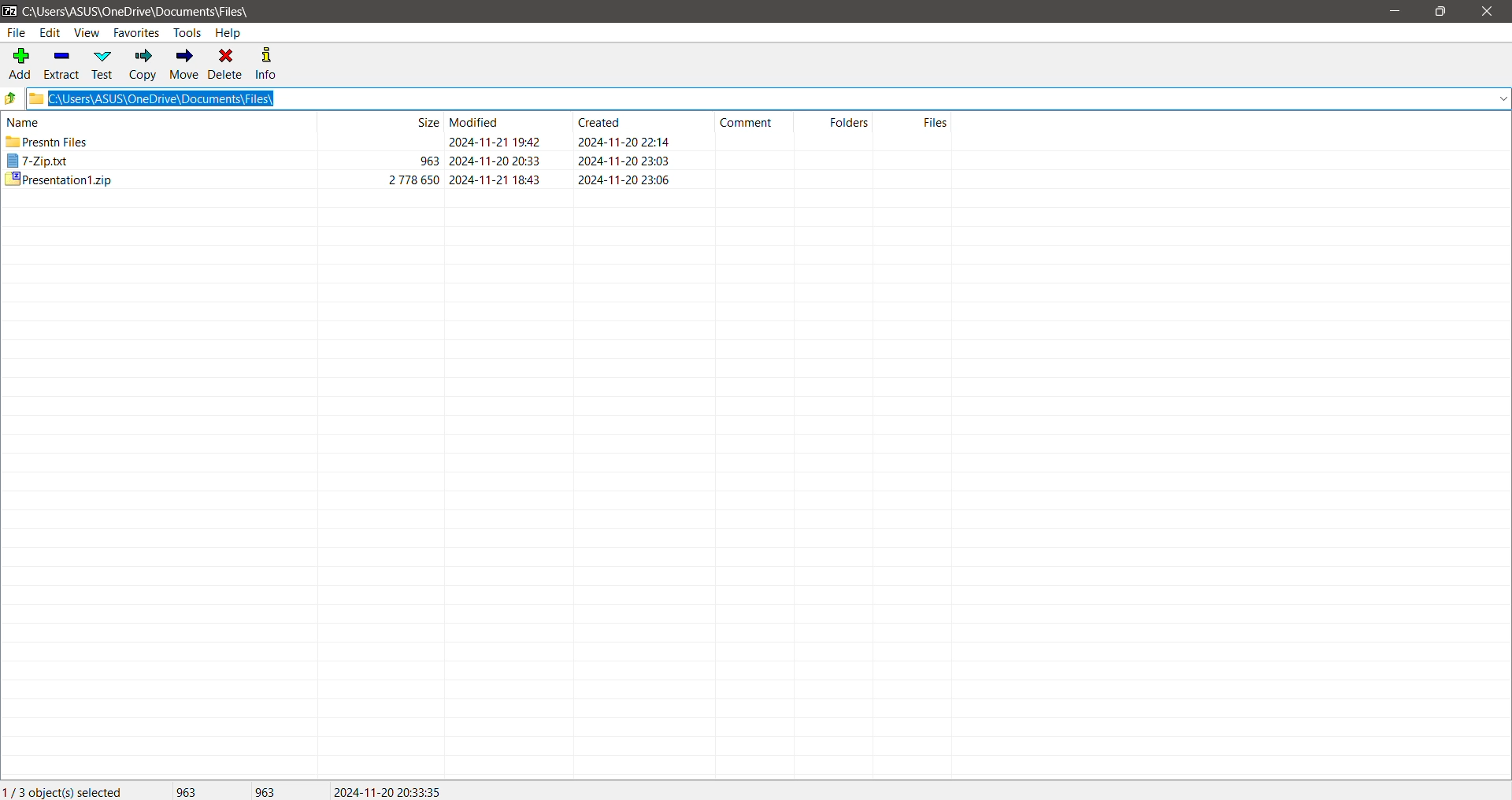  I want to click on Restore Down, so click(1442, 12).